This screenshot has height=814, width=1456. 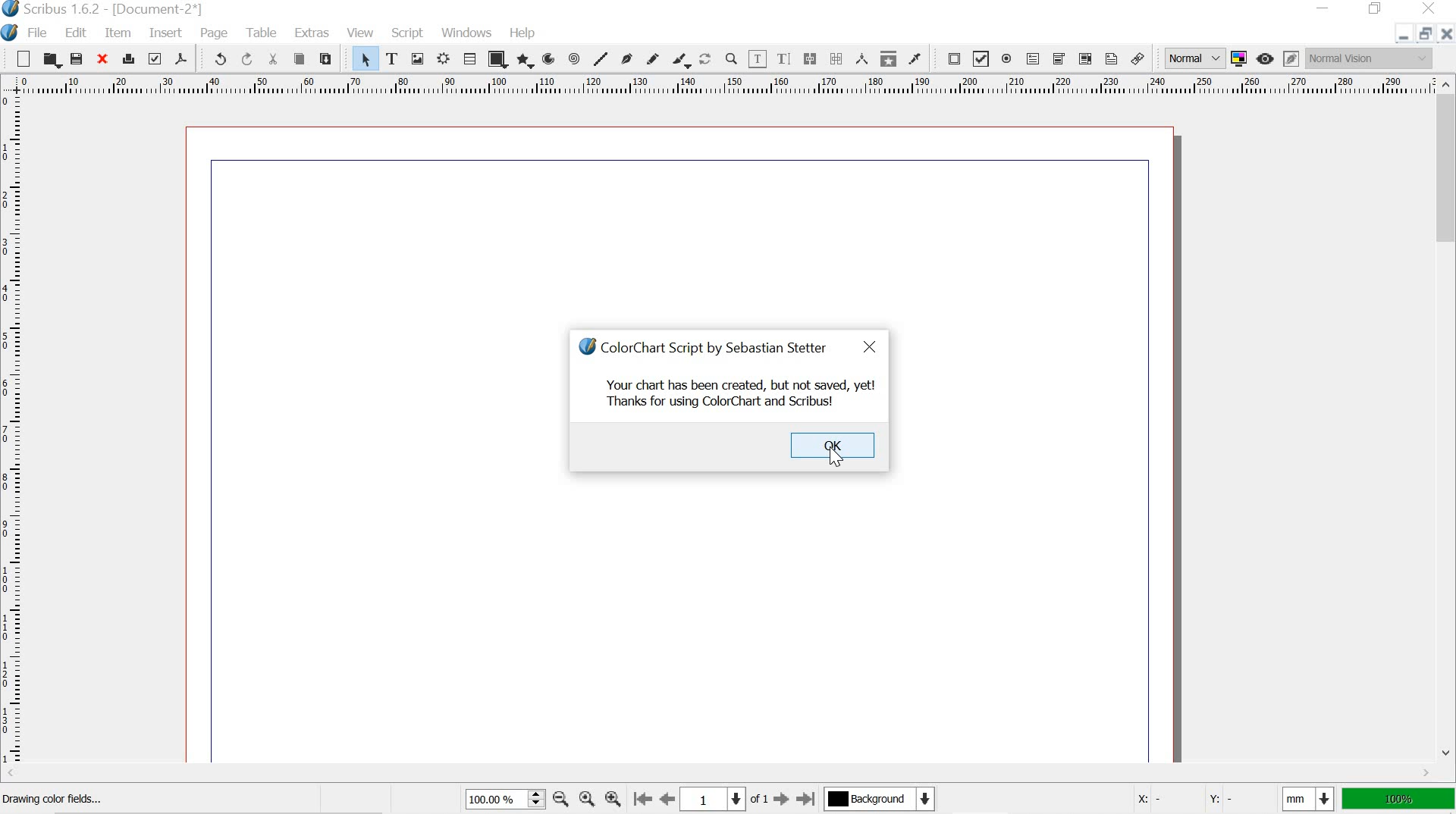 What do you see at coordinates (1447, 33) in the screenshot?
I see `close document` at bounding box center [1447, 33].